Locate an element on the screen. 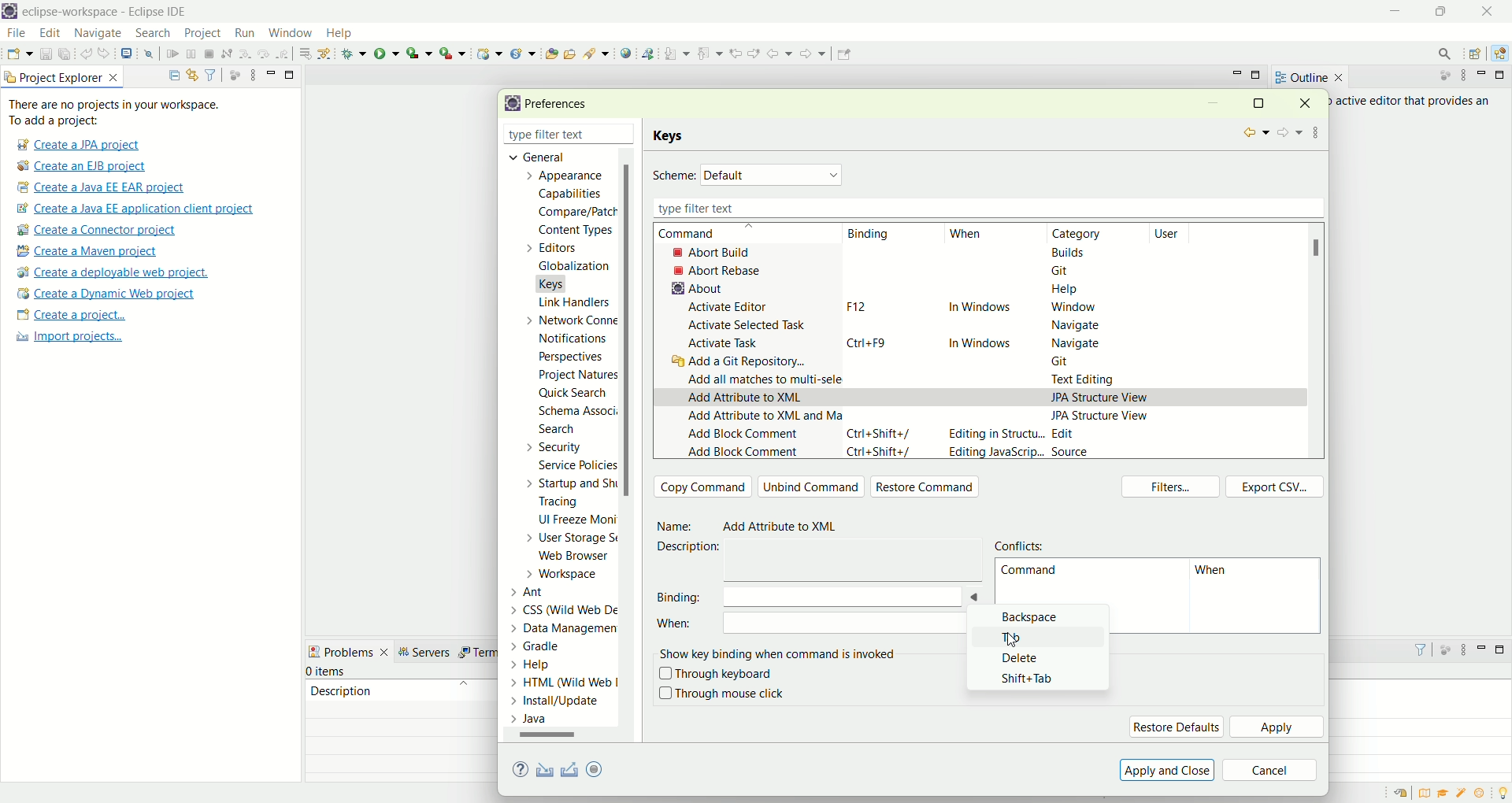 The width and height of the screenshot is (1512, 803). apply is located at coordinates (1278, 728).